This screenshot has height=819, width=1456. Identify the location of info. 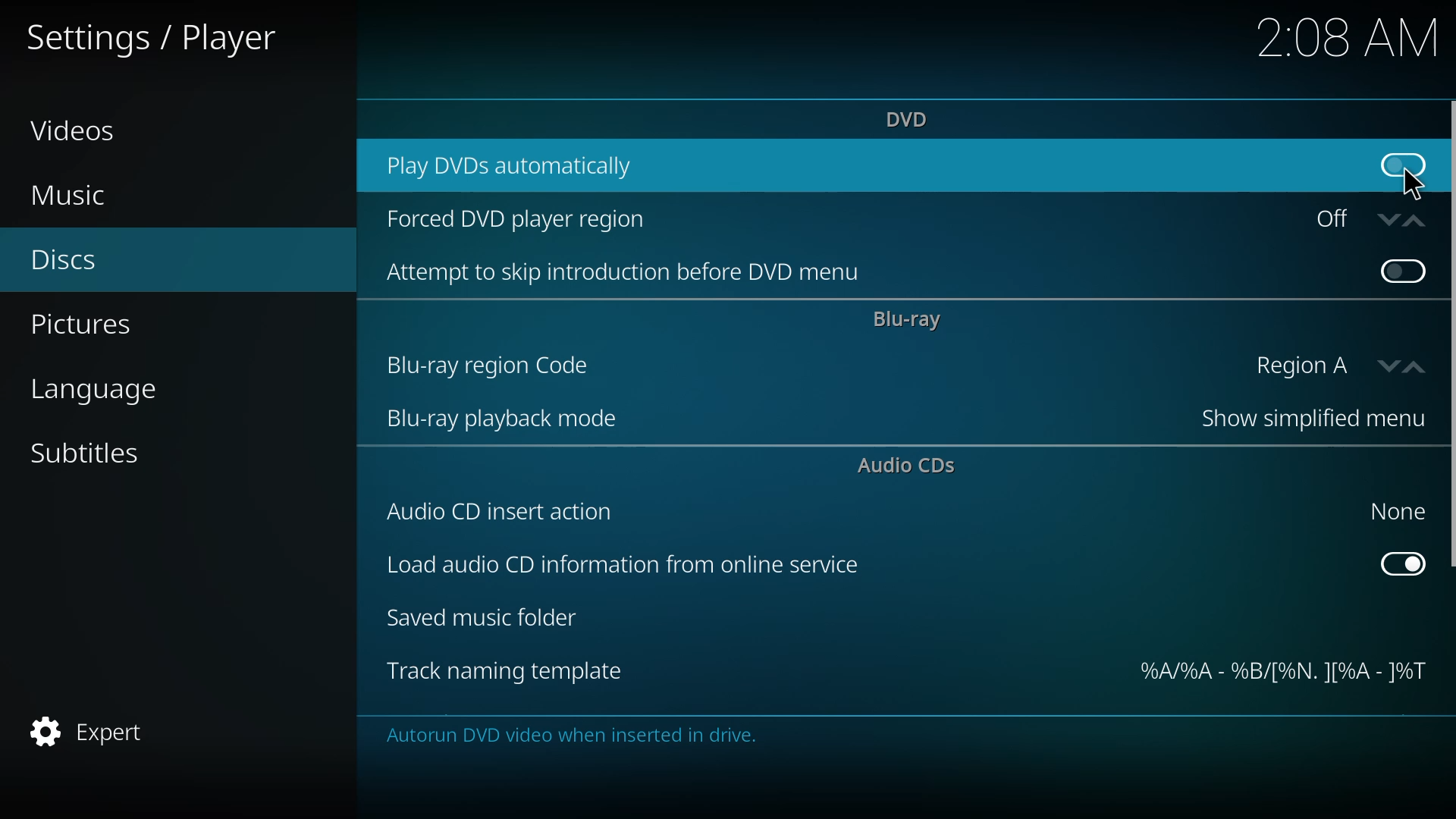
(575, 736).